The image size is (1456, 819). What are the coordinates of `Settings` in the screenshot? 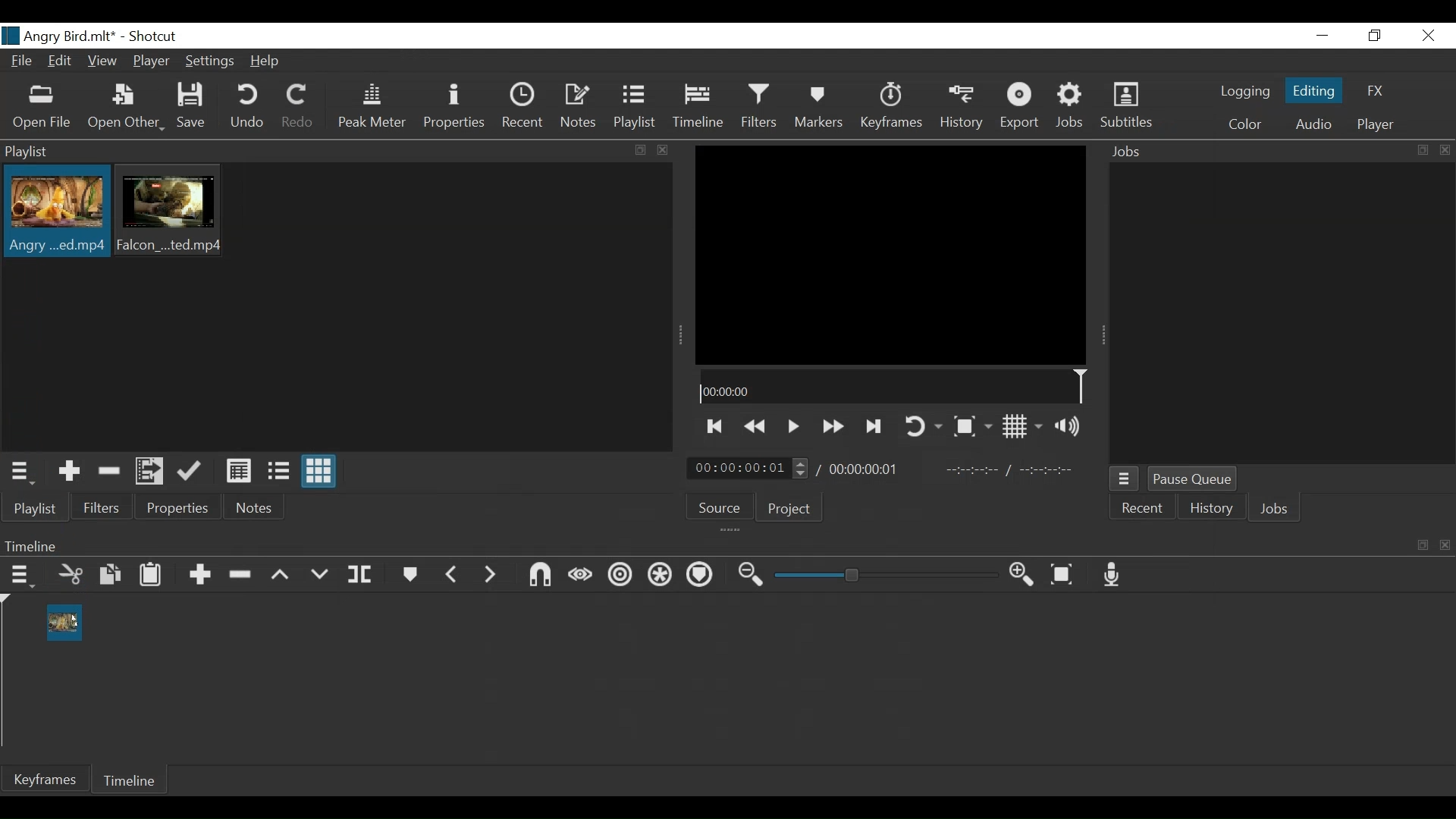 It's located at (210, 61).